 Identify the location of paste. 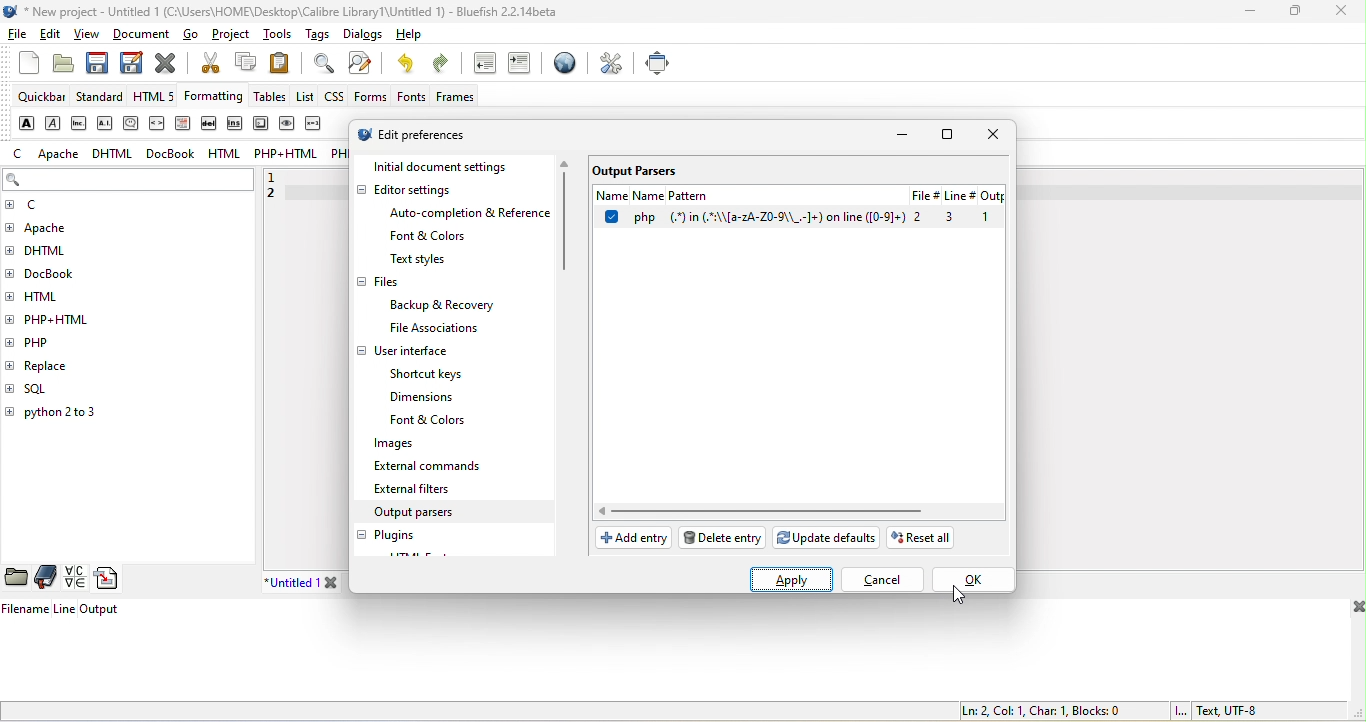
(286, 62).